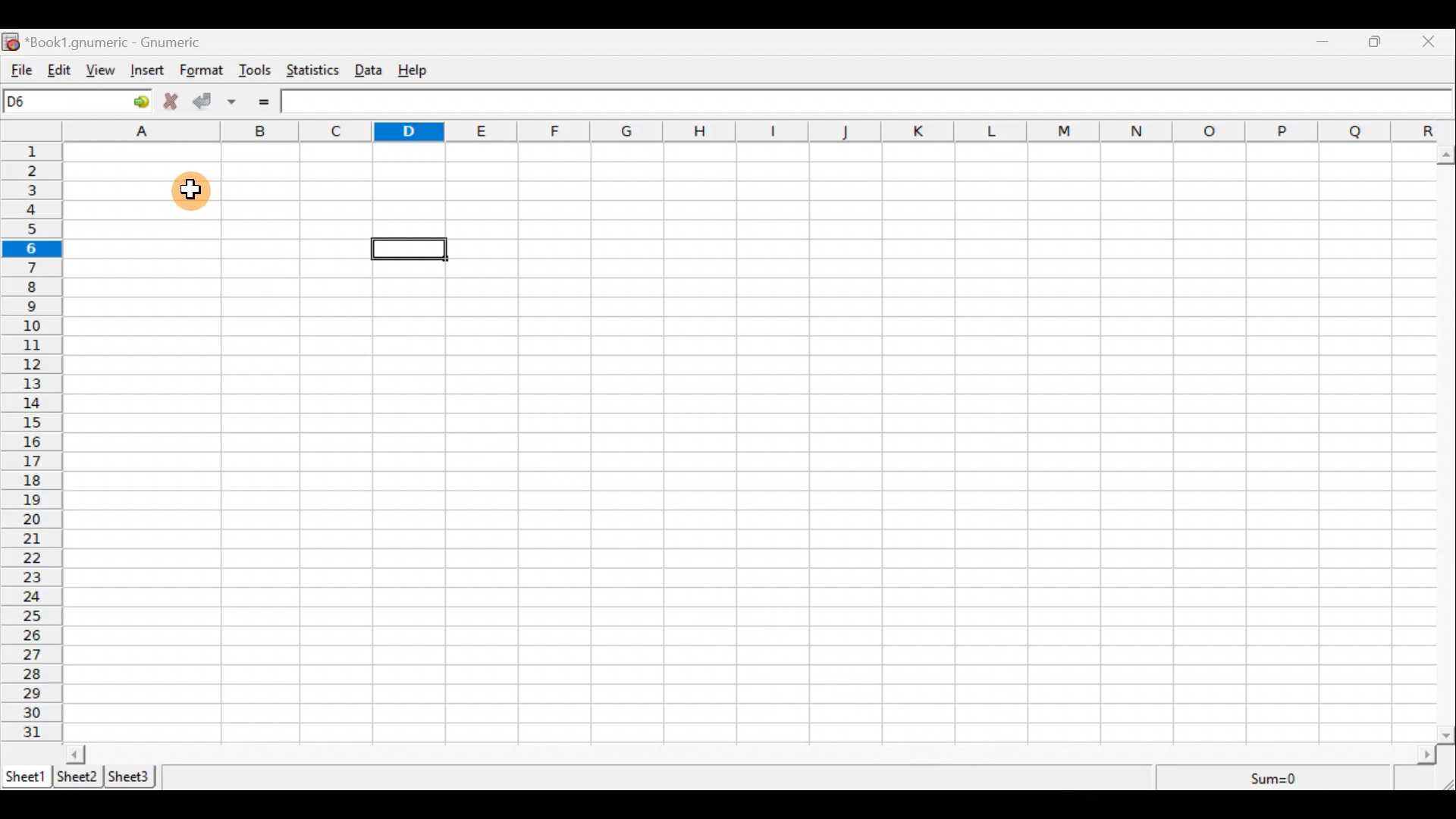 The image size is (1456, 819). What do you see at coordinates (746, 442) in the screenshot?
I see `Cells` at bounding box center [746, 442].